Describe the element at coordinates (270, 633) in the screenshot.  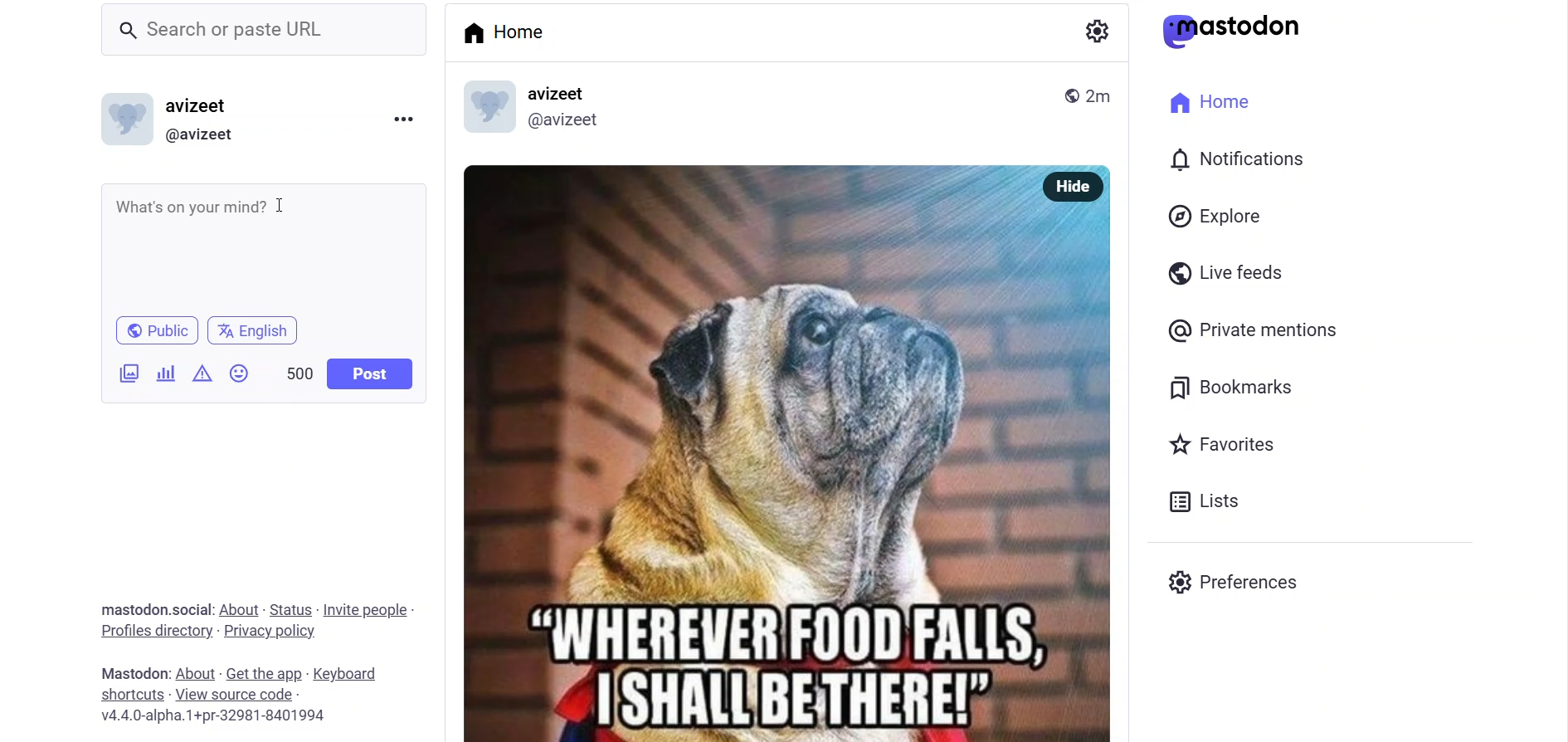
I see `privacy policy` at that location.